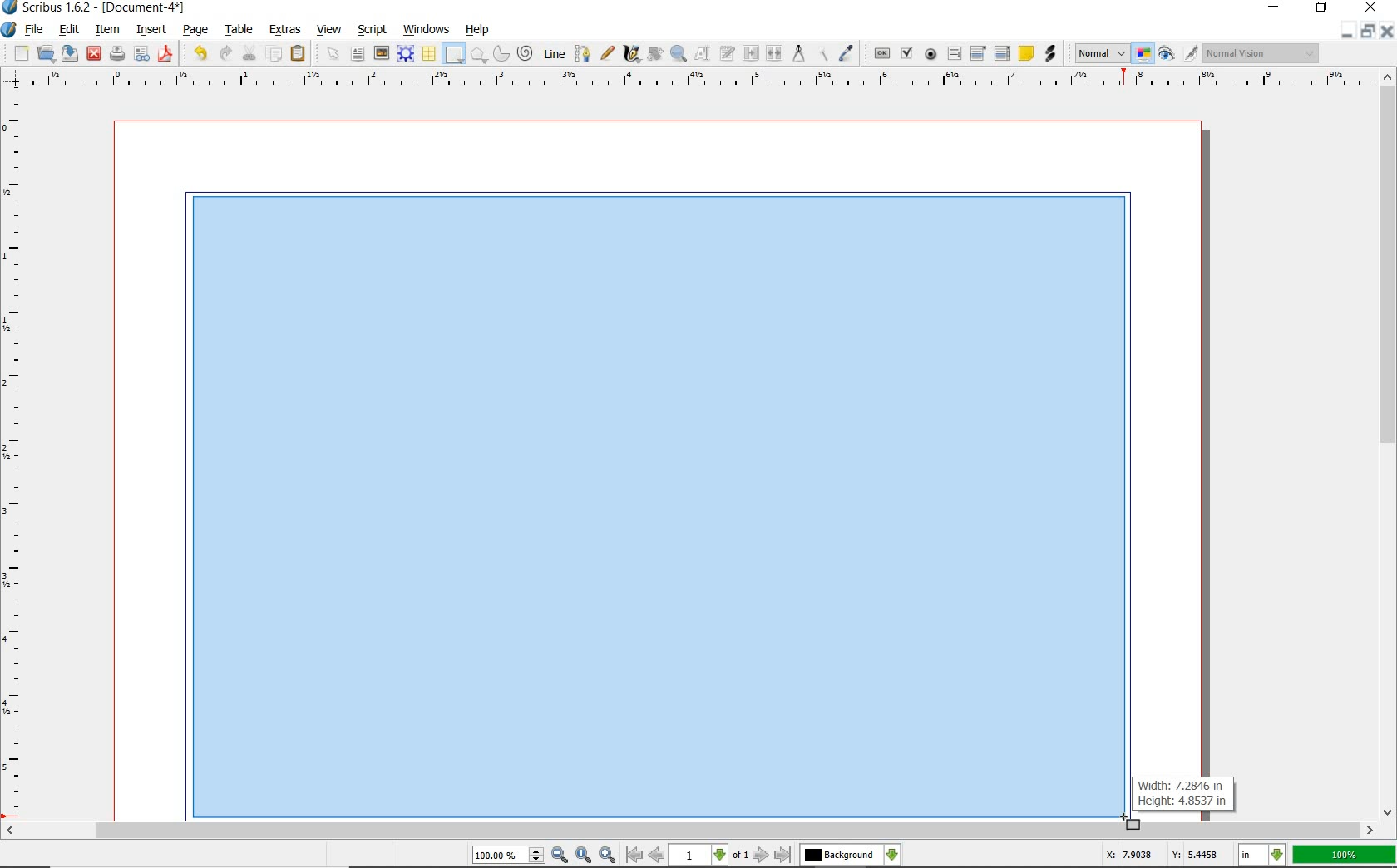 The height and width of the screenshot is (868, 1397). What do you see at coordinates (647, 501) in the screenshot?
I see `drawing rectangle` at bounding box center [647, 501].